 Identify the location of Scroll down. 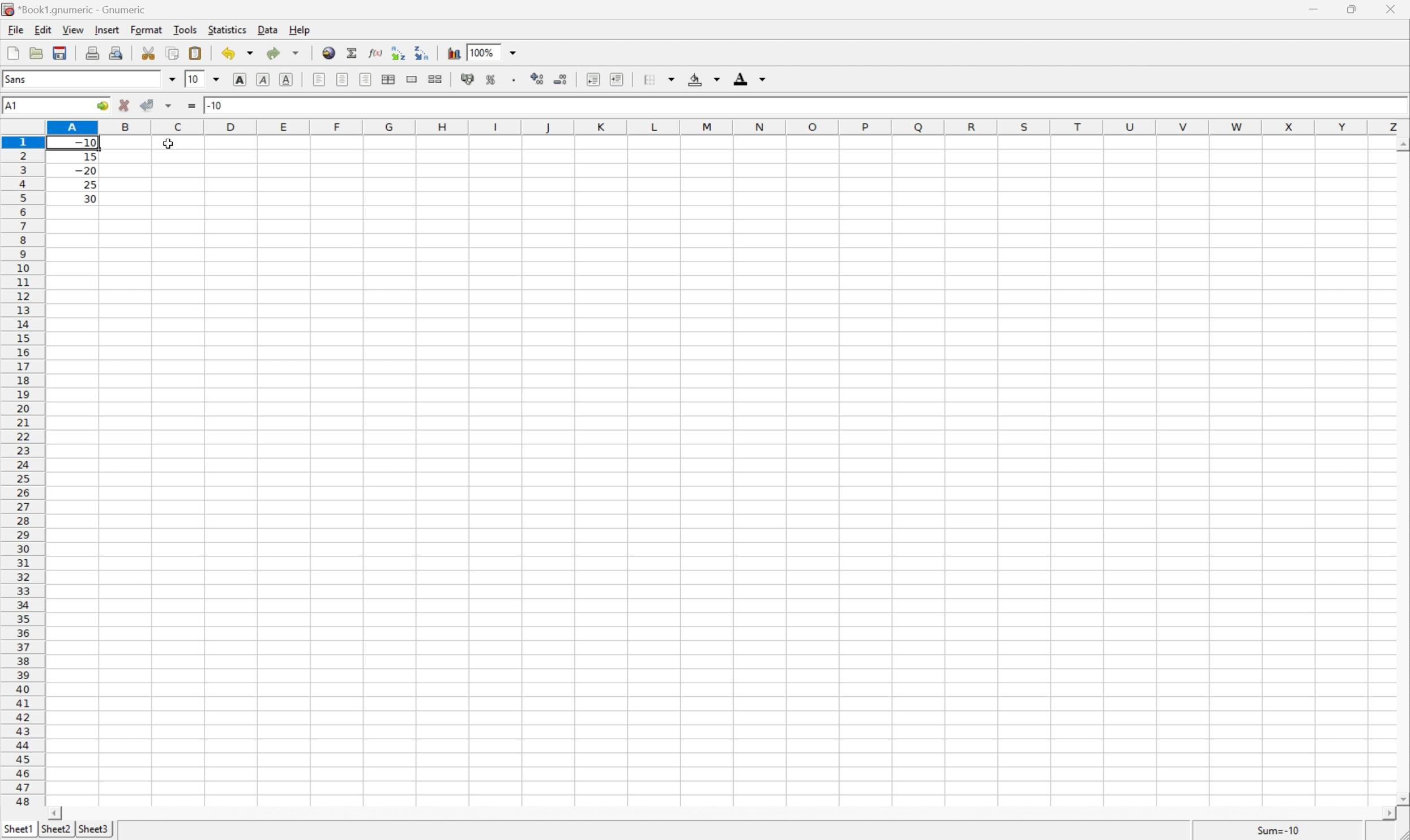
(1401, 797).